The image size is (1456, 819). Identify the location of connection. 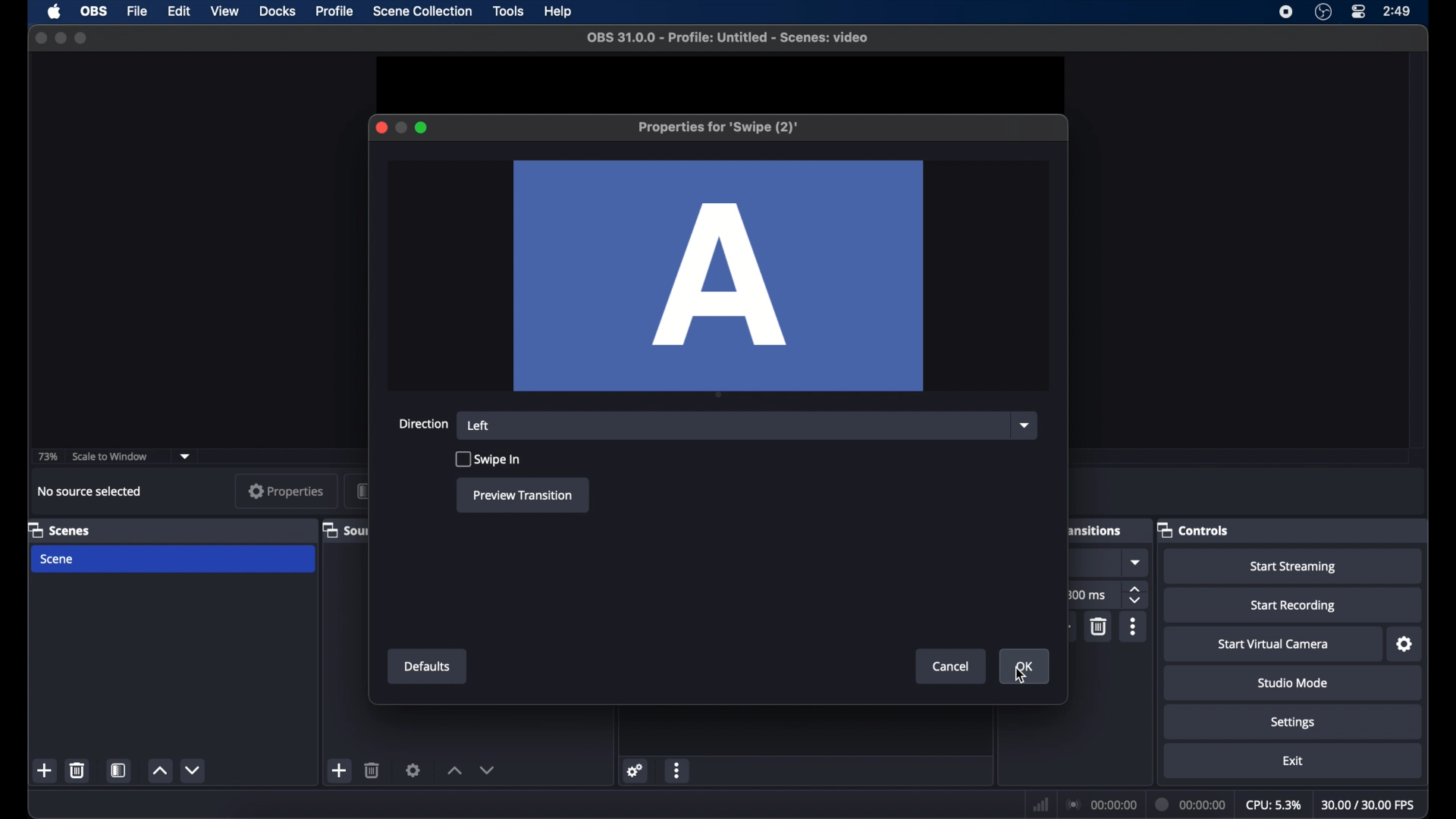
(1100, 804).